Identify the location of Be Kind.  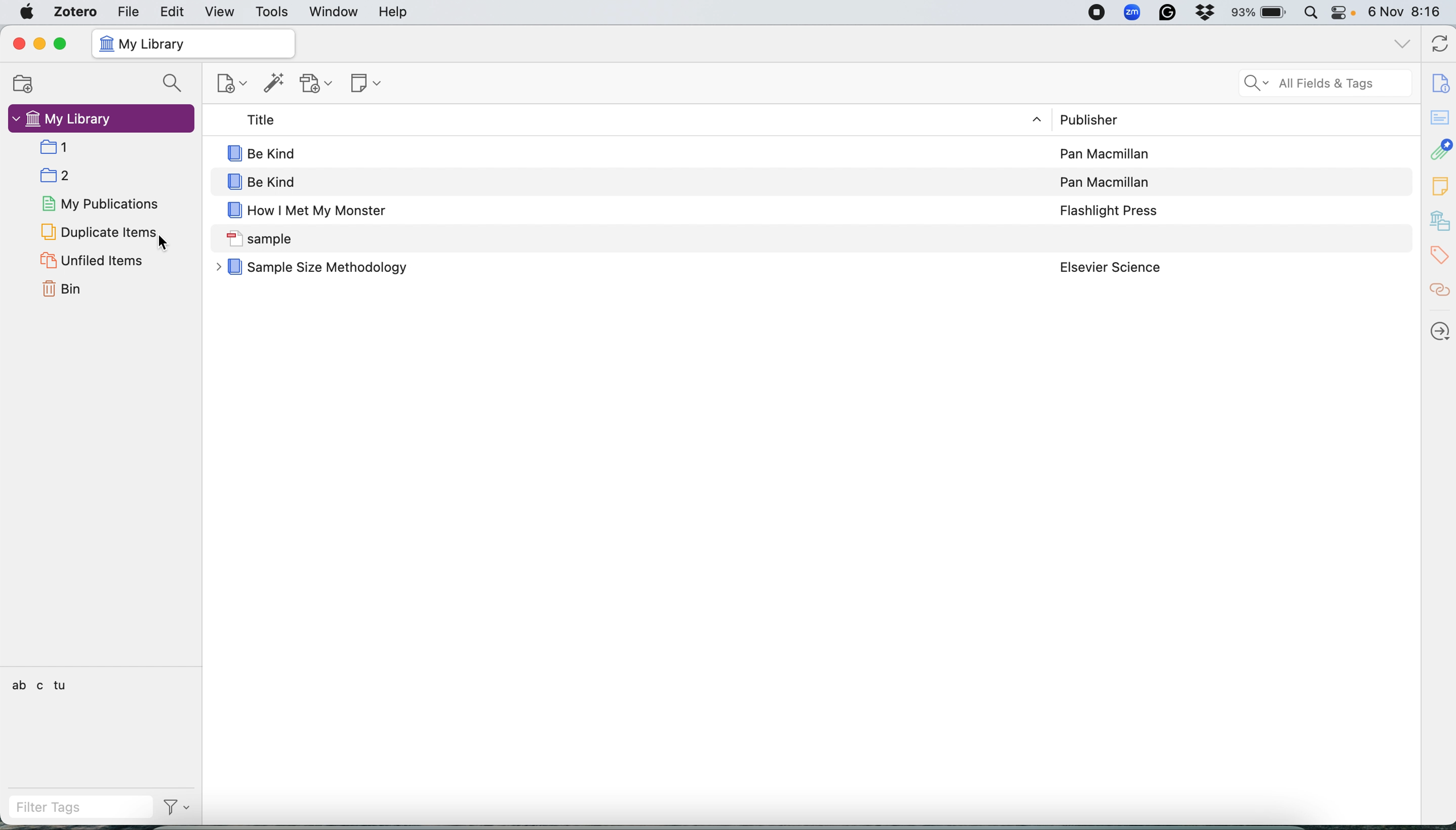
(613, 178).